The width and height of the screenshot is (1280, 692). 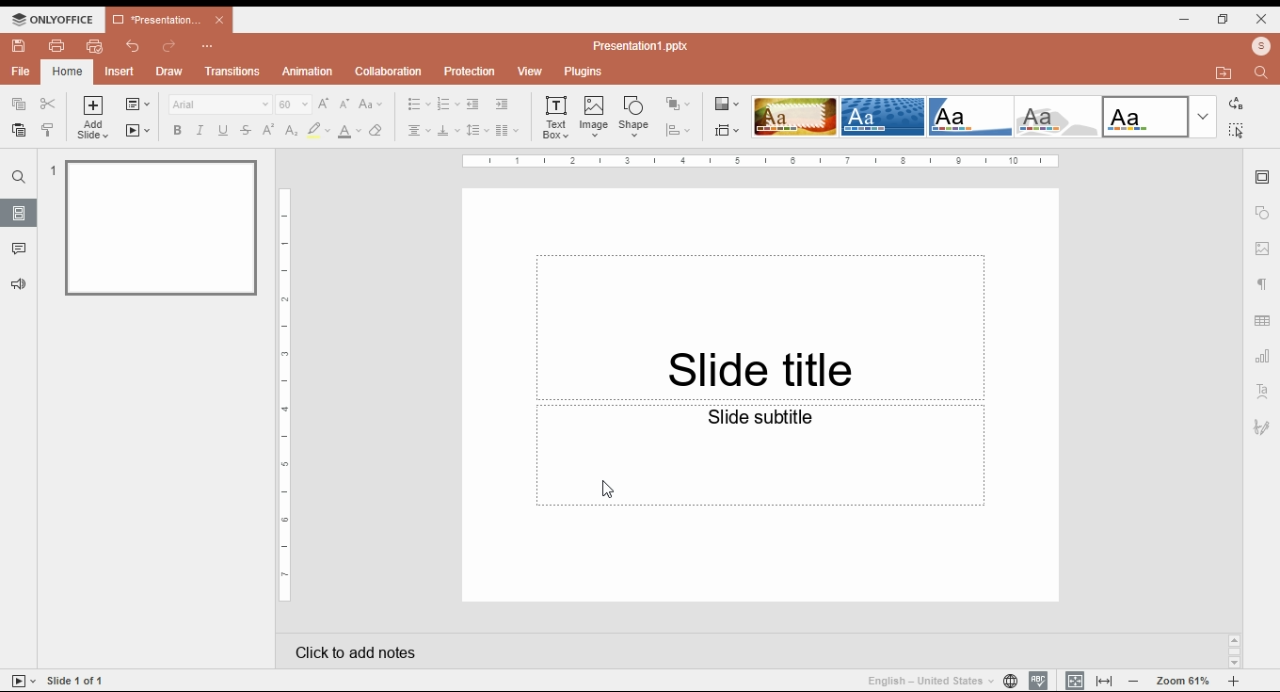 What do you see at coordinates (120, 72) in the screenshot?
I see `insert` at bounding box center [120, 72].